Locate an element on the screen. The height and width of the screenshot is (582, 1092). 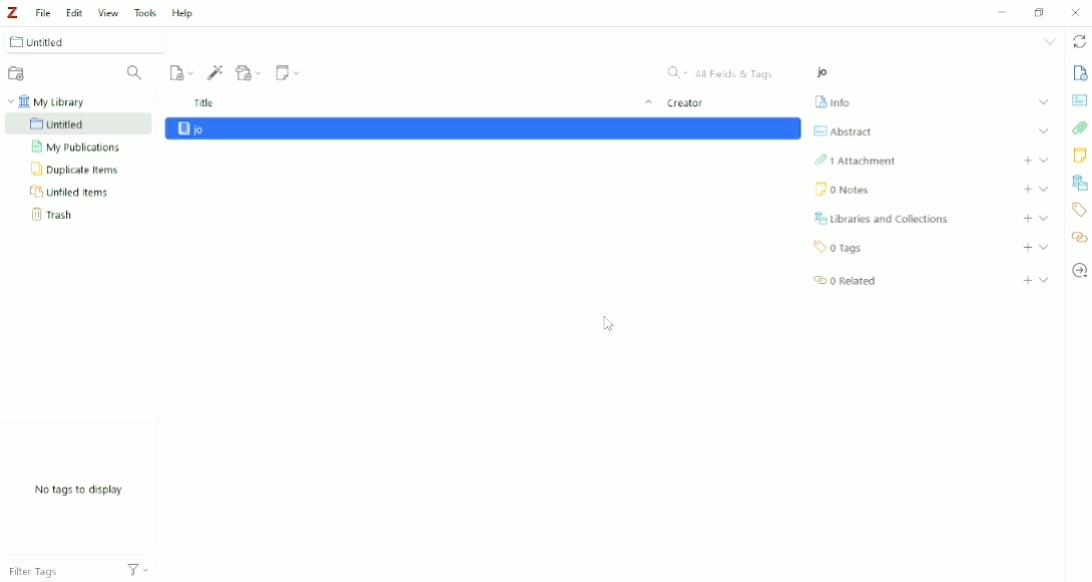
Attachment is located at coordinates (855, 162).